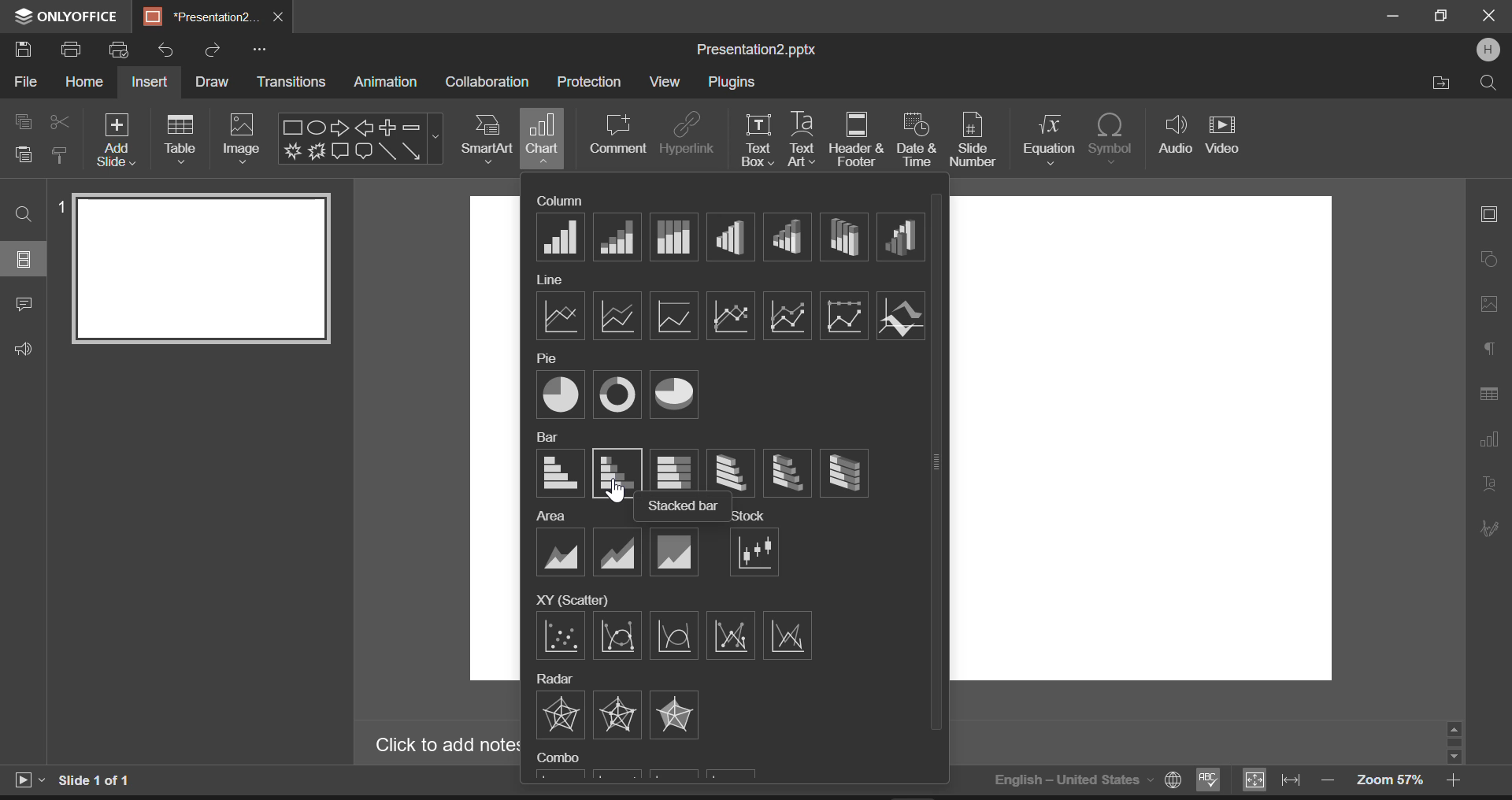  What do you see at coordinates (619, 551) in the screenshot?
I see `Stacked Area` at bounding box center [619, 551].